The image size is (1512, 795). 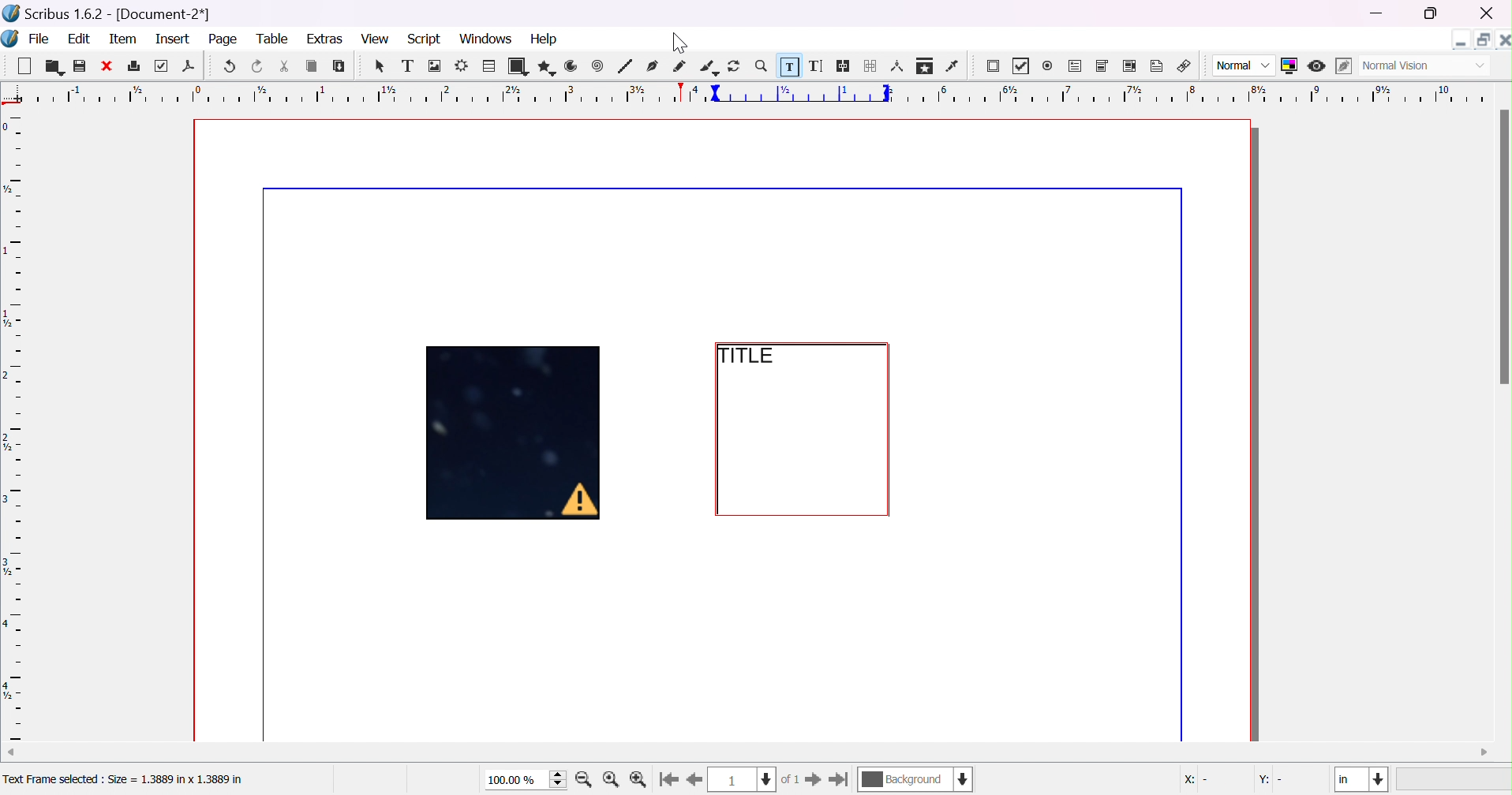 What do you see at coordinates (1503, 247) in the screenshot?
I see `scroll bar` at bounding box center [1503, 247].